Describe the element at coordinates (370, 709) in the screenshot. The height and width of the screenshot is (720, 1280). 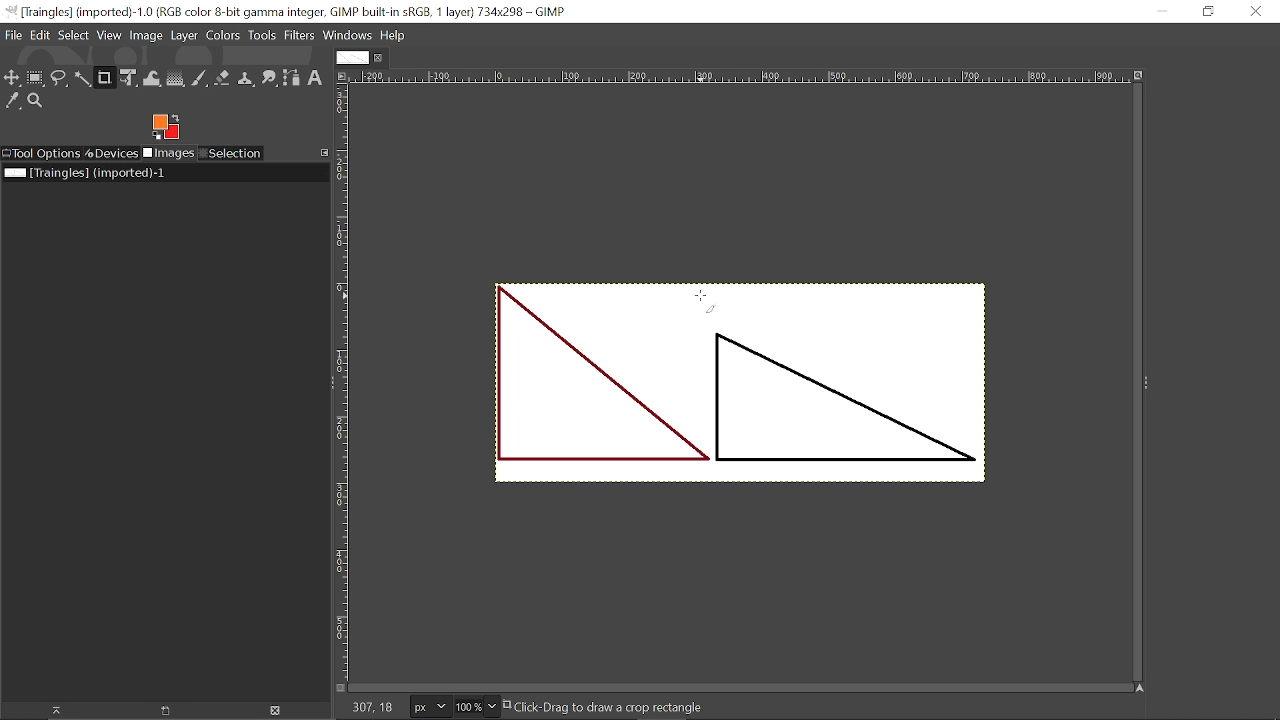
I see `307, 18` at that location.